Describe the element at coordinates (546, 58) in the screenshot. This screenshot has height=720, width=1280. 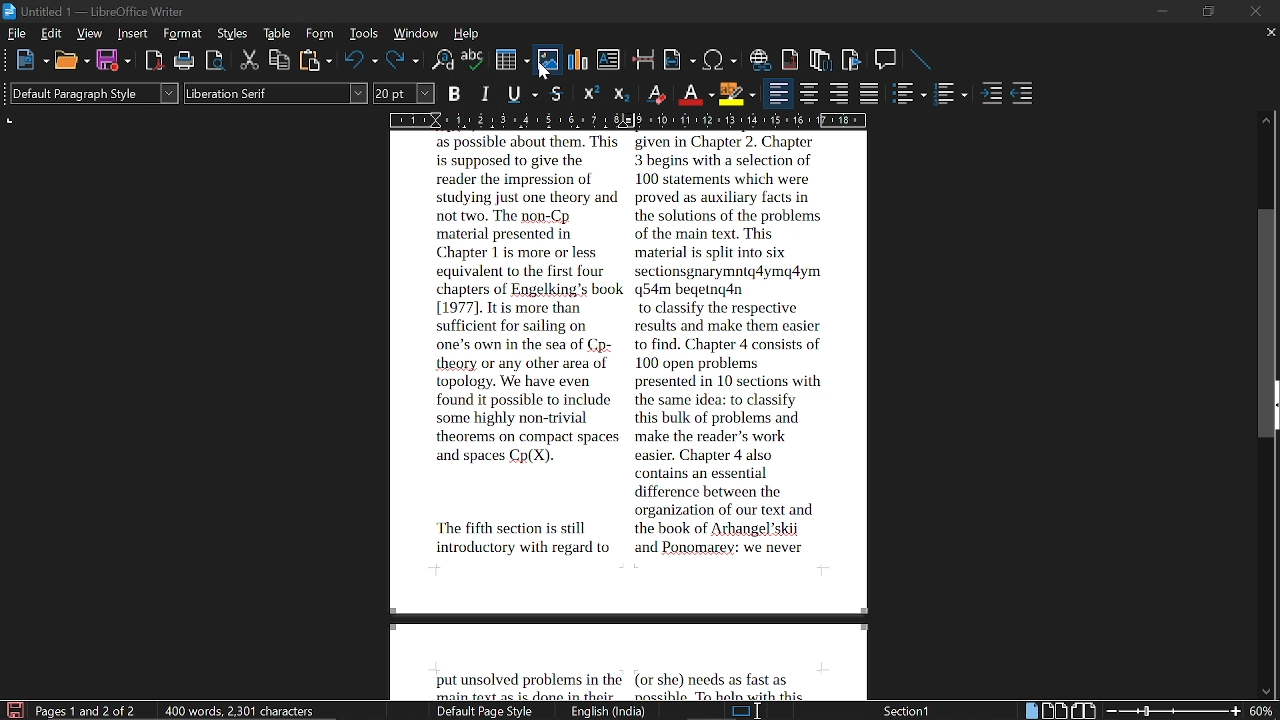
I see `insert image` at that location.